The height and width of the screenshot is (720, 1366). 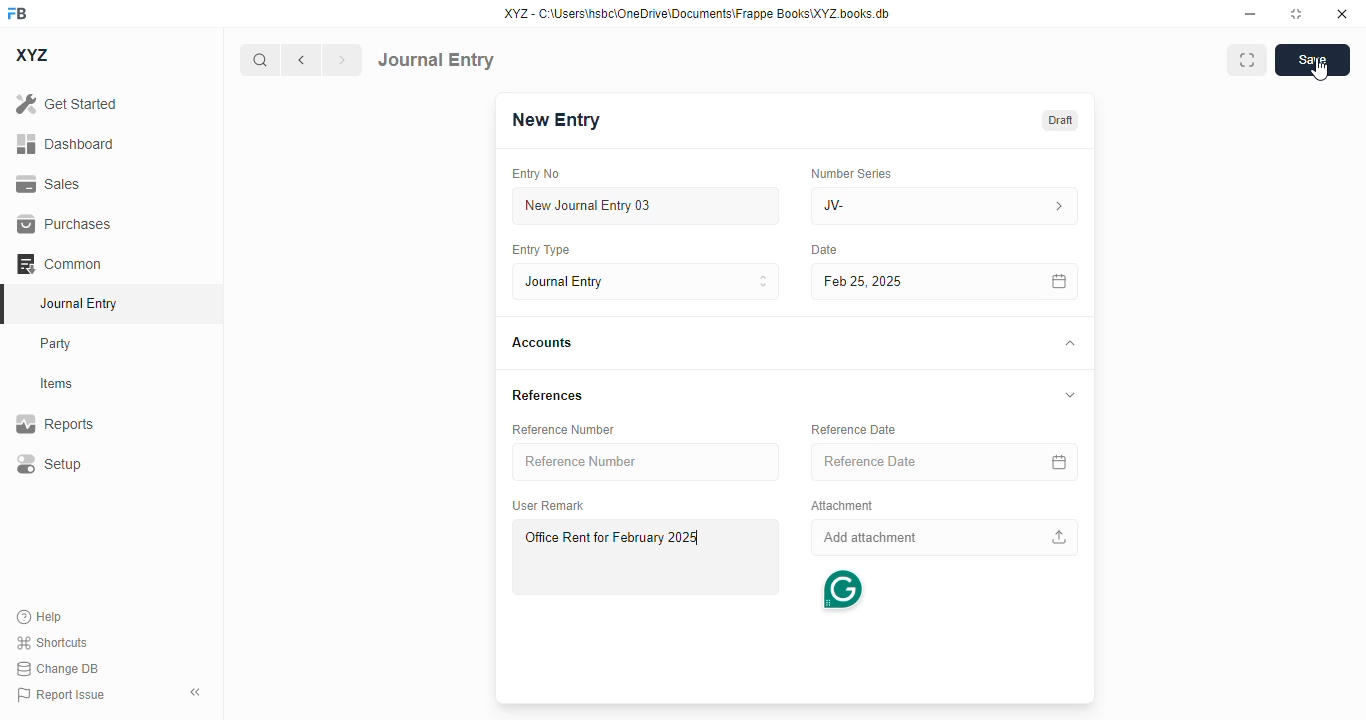 What do you see at coordinates (57, 384) in the screenshot?
I see `items` at bounding box center [57, 384].